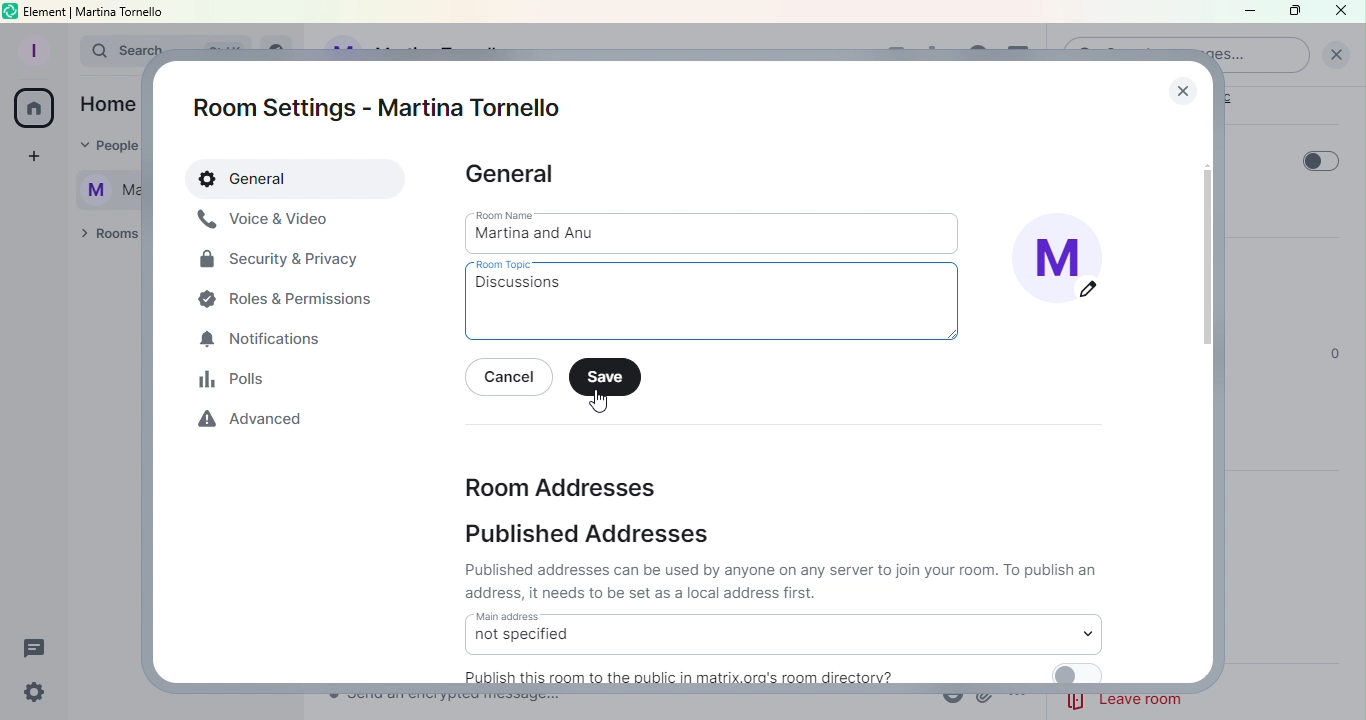 The height and width of the screenshot is (720, 1366). Describe the element at coordinates (39, 644) in the screenshot. I see `Threads` at that location.